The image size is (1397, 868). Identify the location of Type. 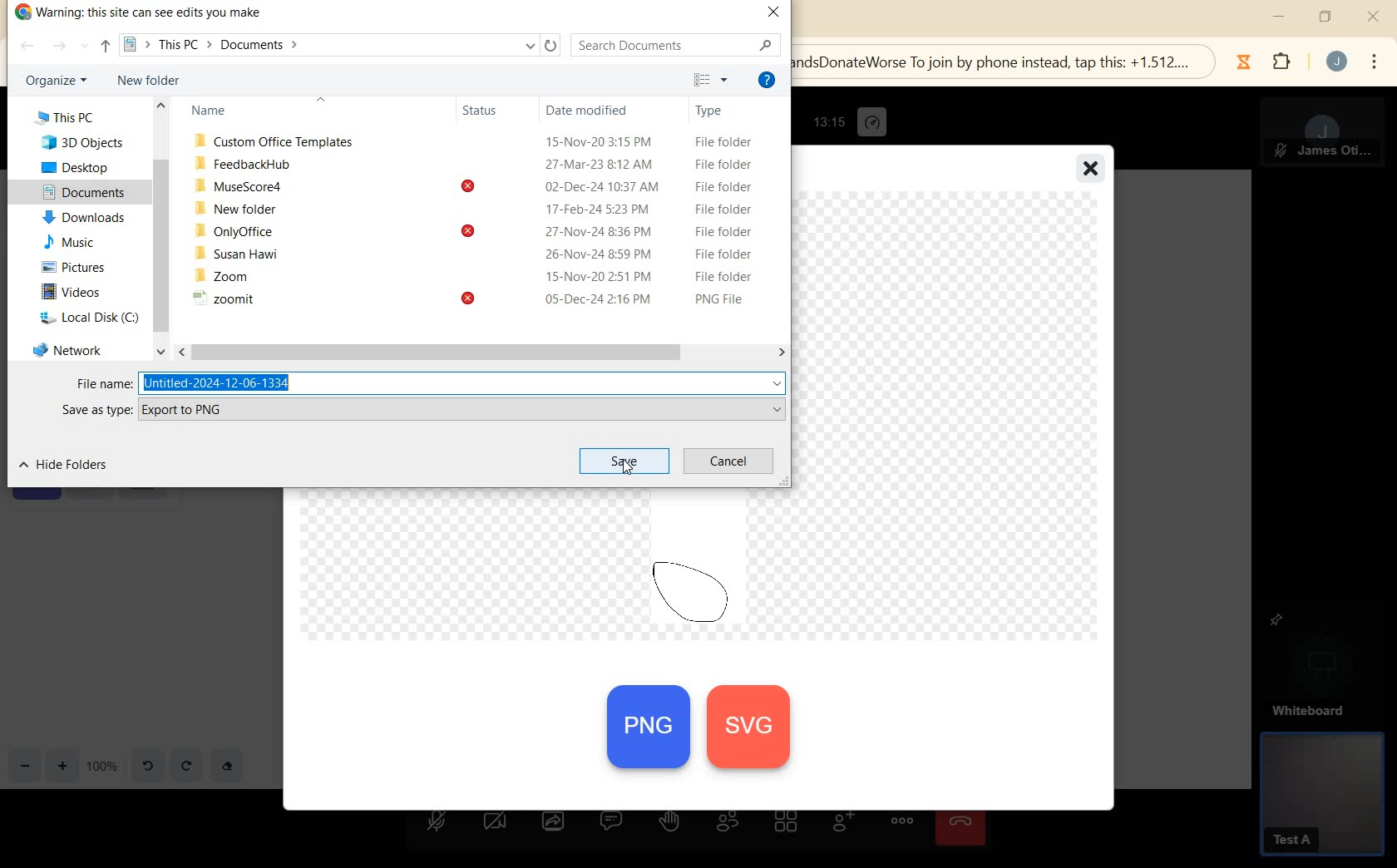
(713, 111).